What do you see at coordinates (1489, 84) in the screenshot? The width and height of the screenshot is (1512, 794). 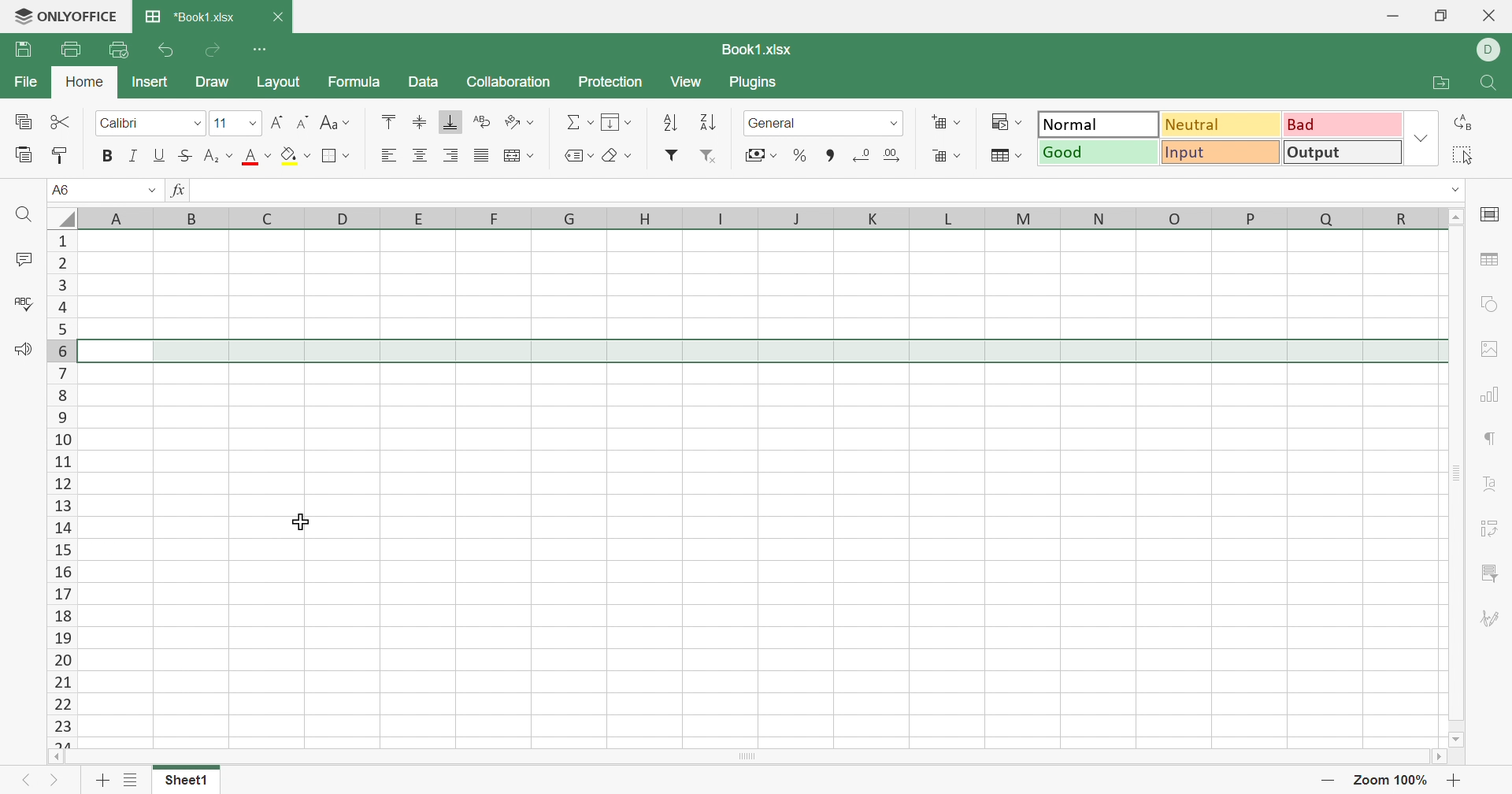 I see `Find` at bounding box center [1489, 84].